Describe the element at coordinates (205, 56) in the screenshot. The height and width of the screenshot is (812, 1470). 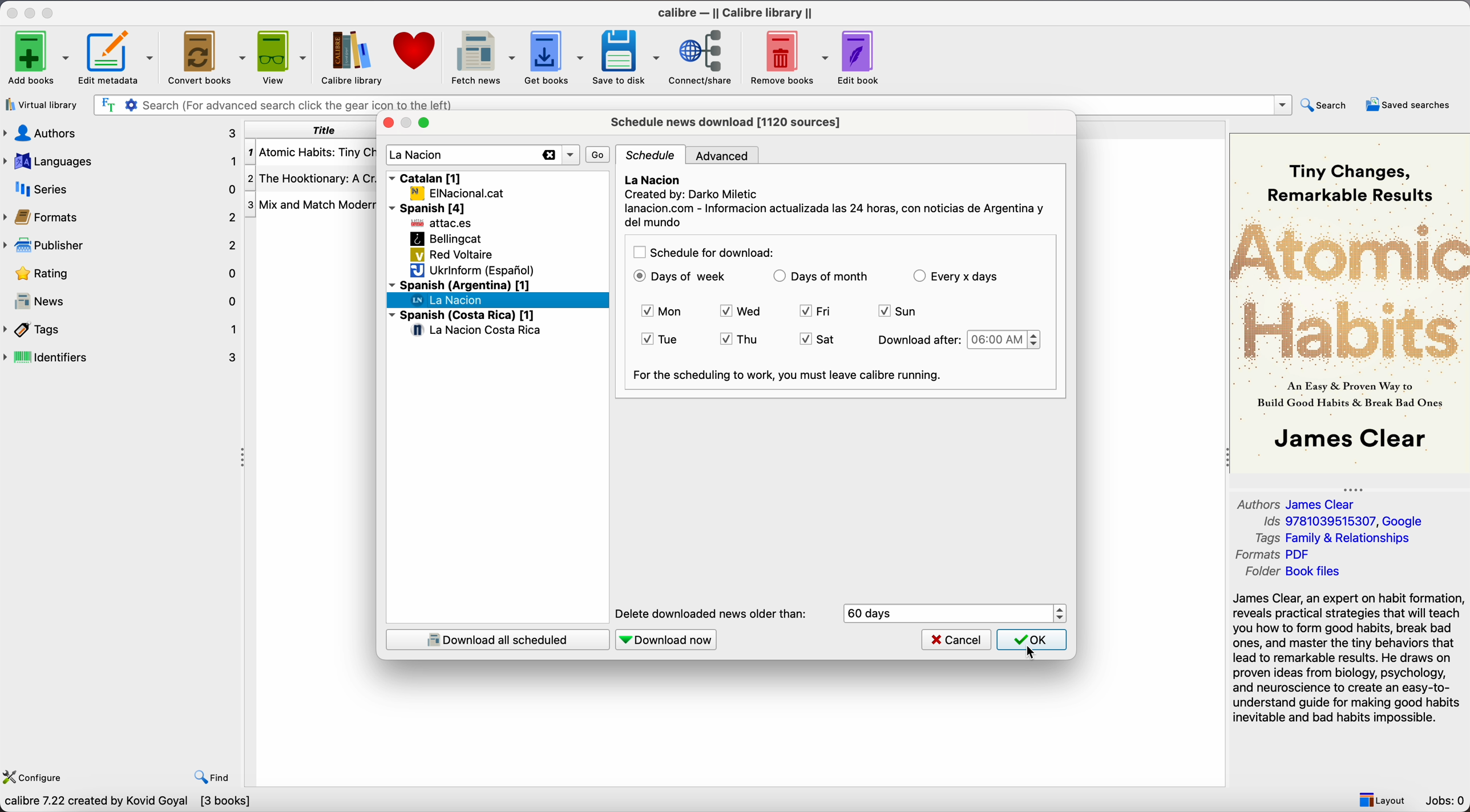
I see `convert books` at that location.